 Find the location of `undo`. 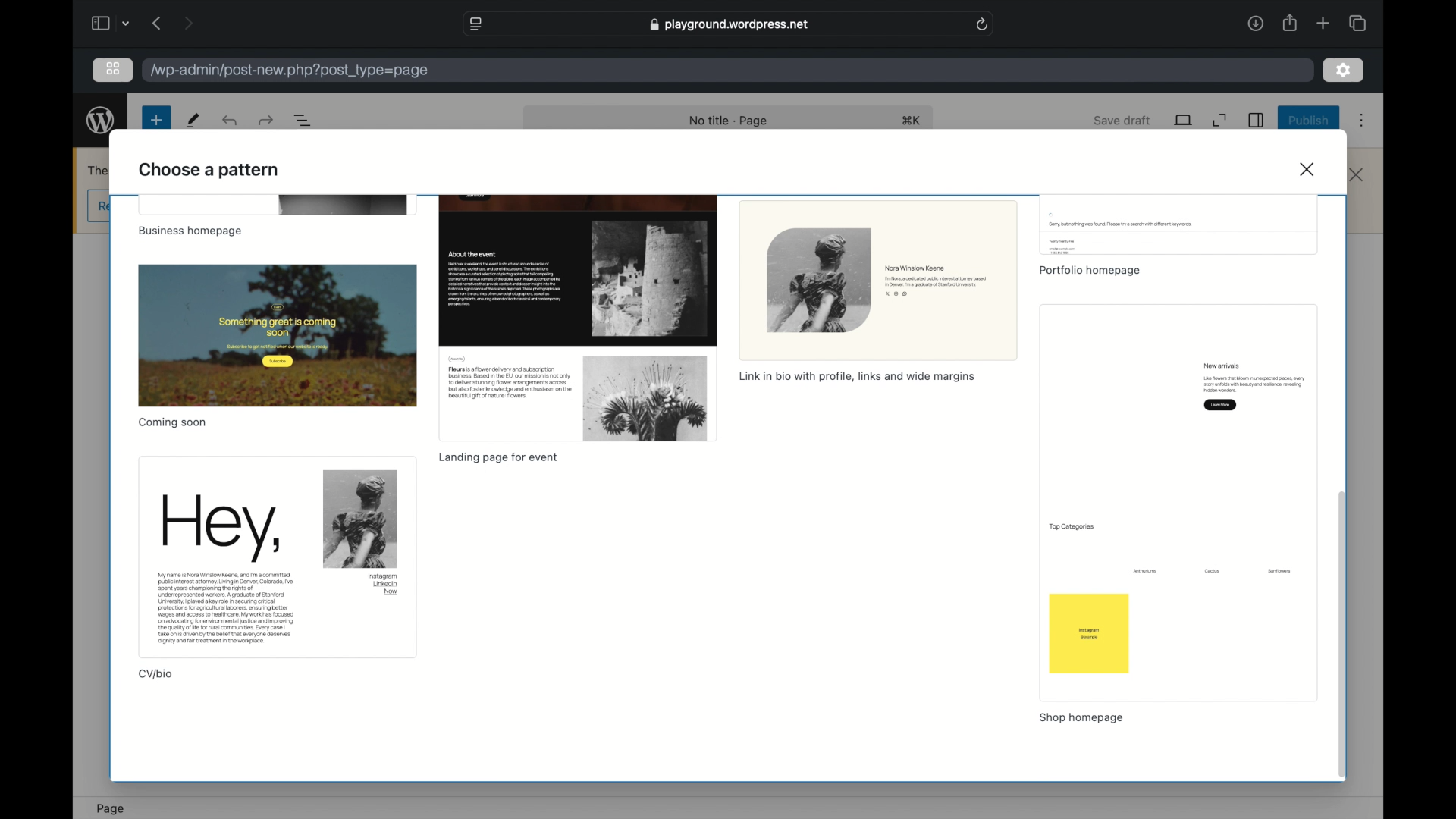

undo is located at coordinates (265, 121).